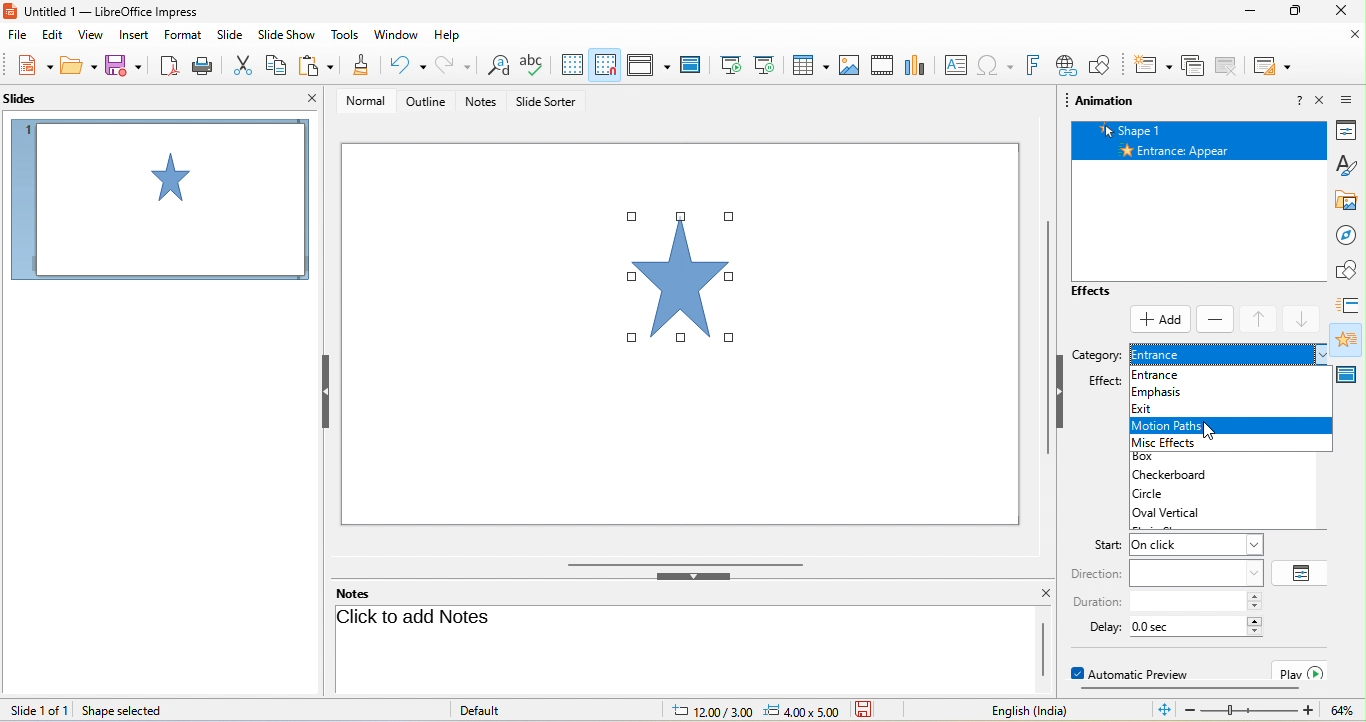  Describe the element at coordinates (1032, 66) in the screenshot. I see `fontwork text` at that location.